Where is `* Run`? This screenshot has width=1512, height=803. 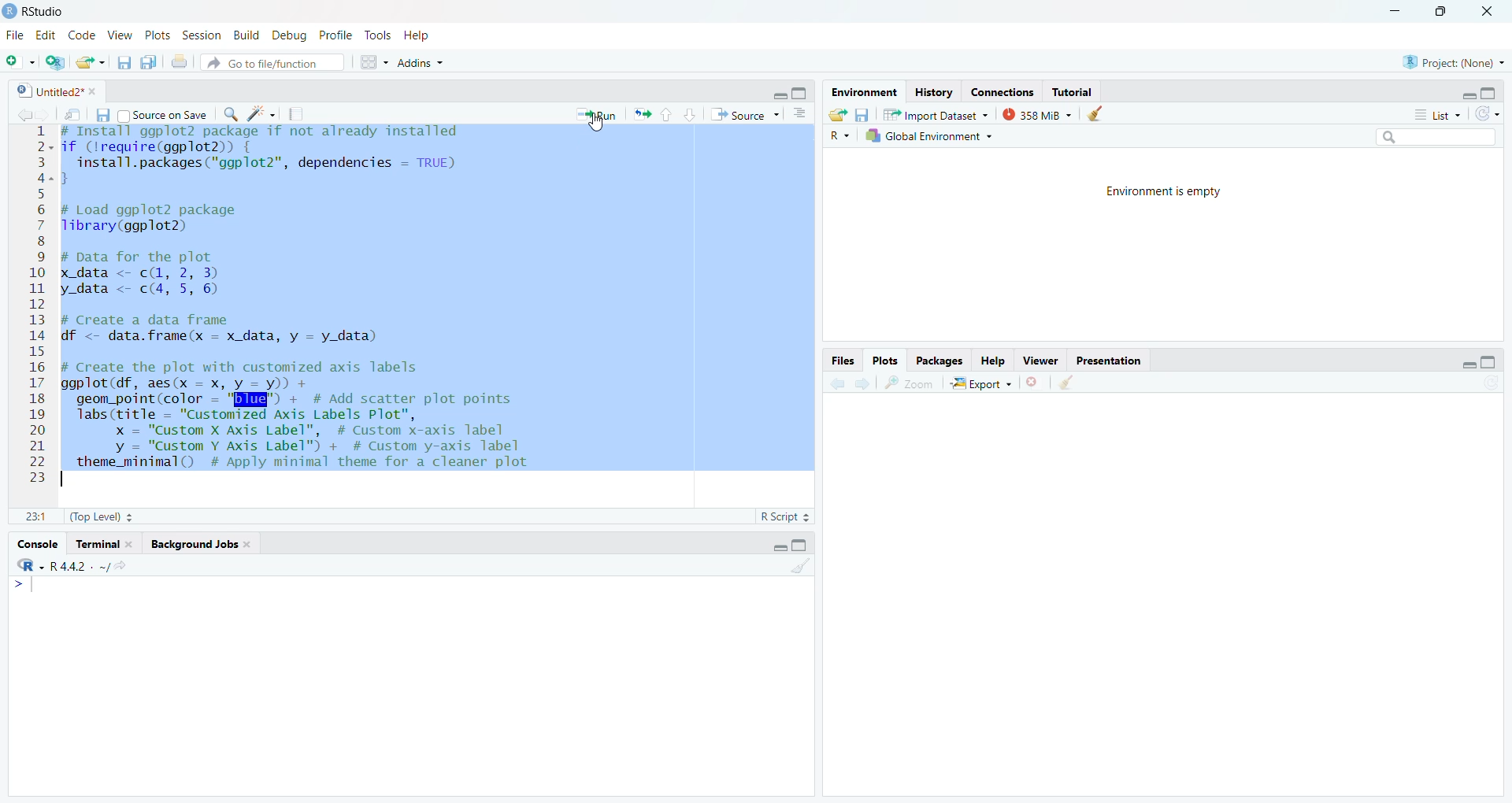
* Run is located at coordinates (599, 114).